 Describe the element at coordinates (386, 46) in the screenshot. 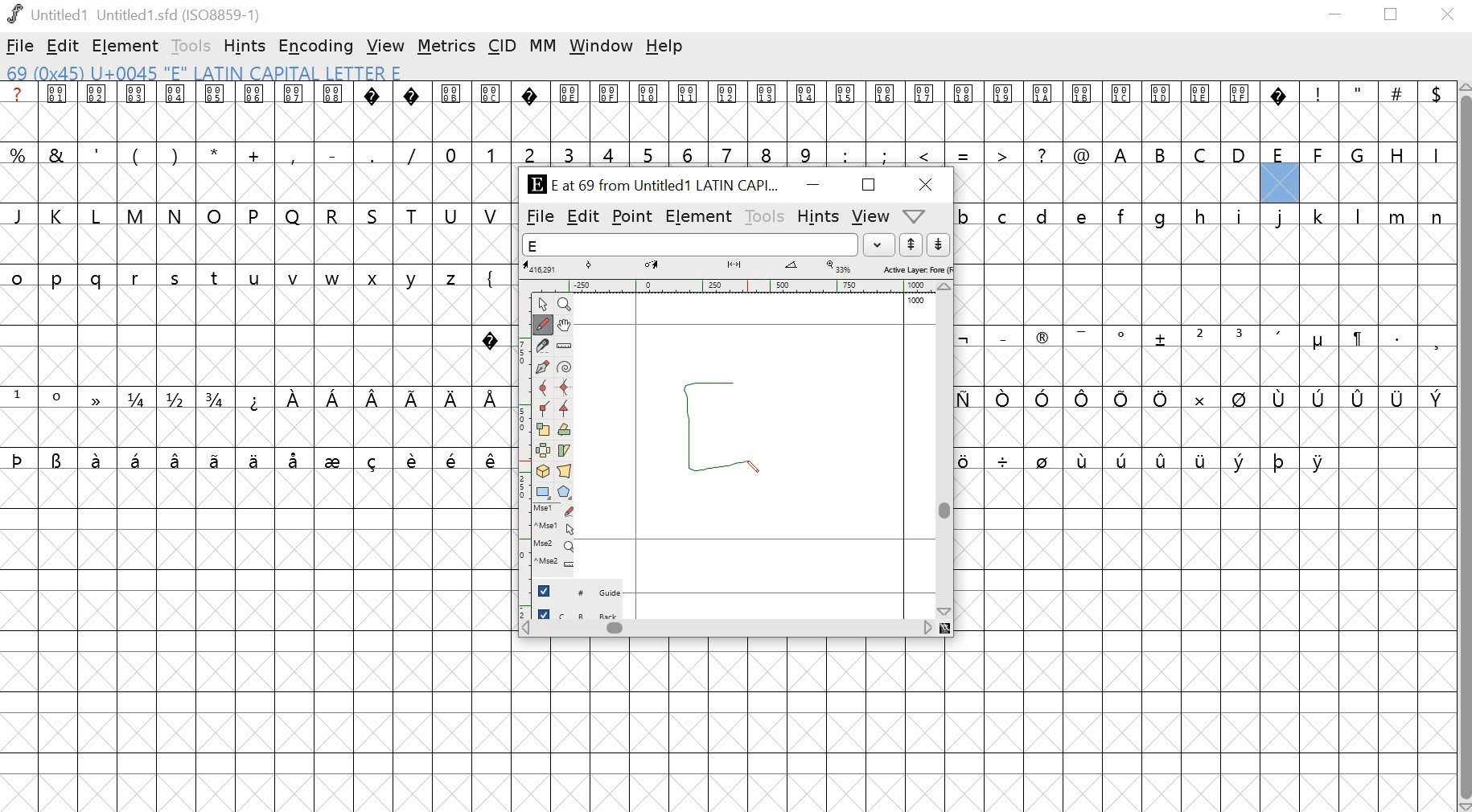

I see `view` at that location.